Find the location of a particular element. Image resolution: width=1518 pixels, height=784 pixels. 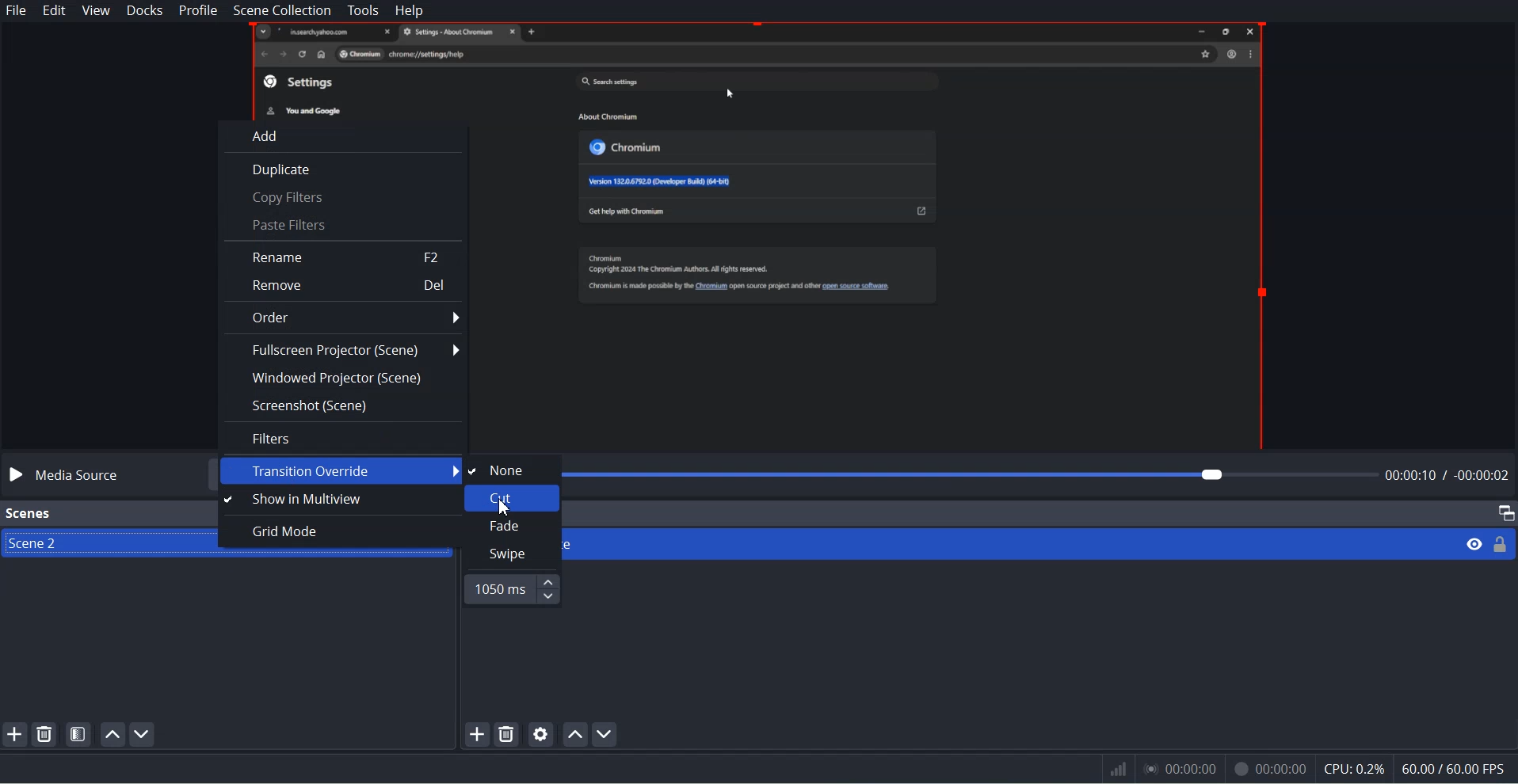

Show Multiview is located at coordinates (335, 500).